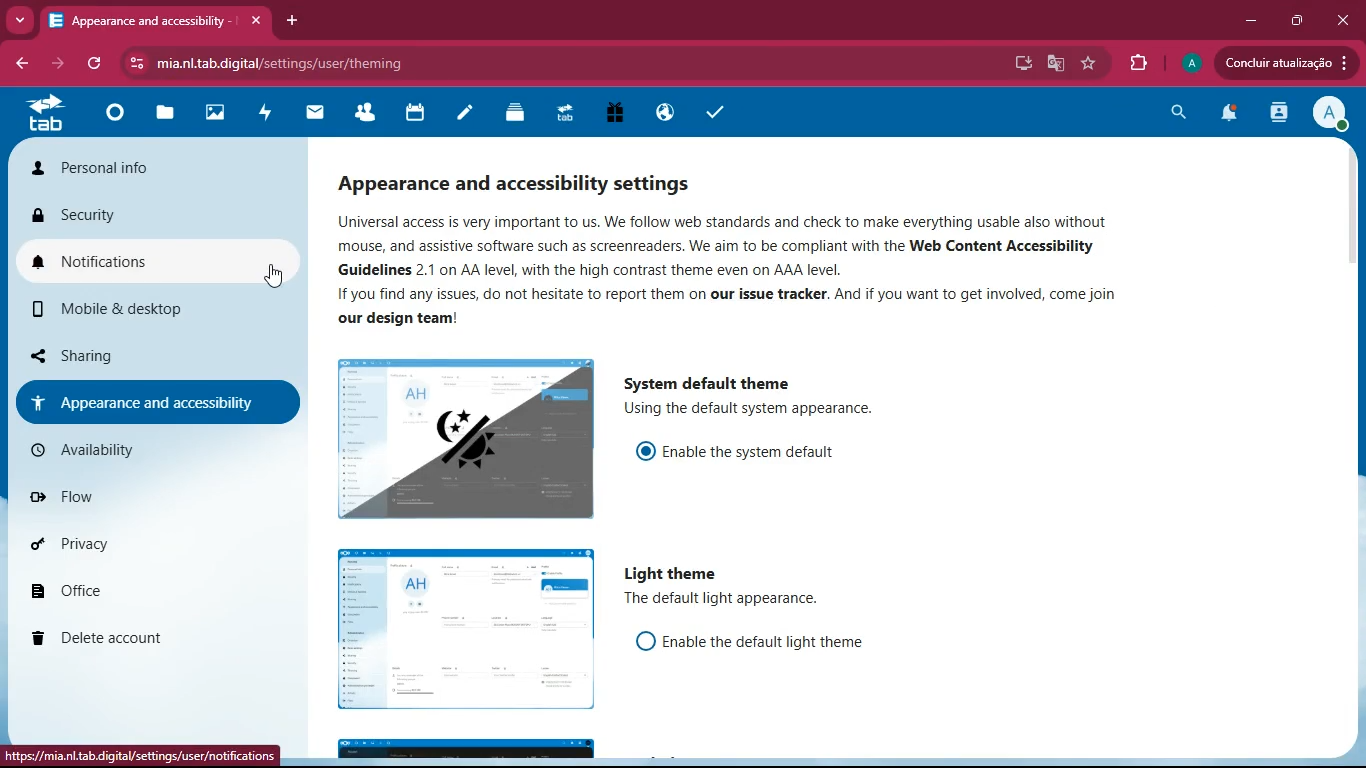  What do you see at coordinates (16, 20) in the screenshot?
I see `more` at bounding box center [16, 20].